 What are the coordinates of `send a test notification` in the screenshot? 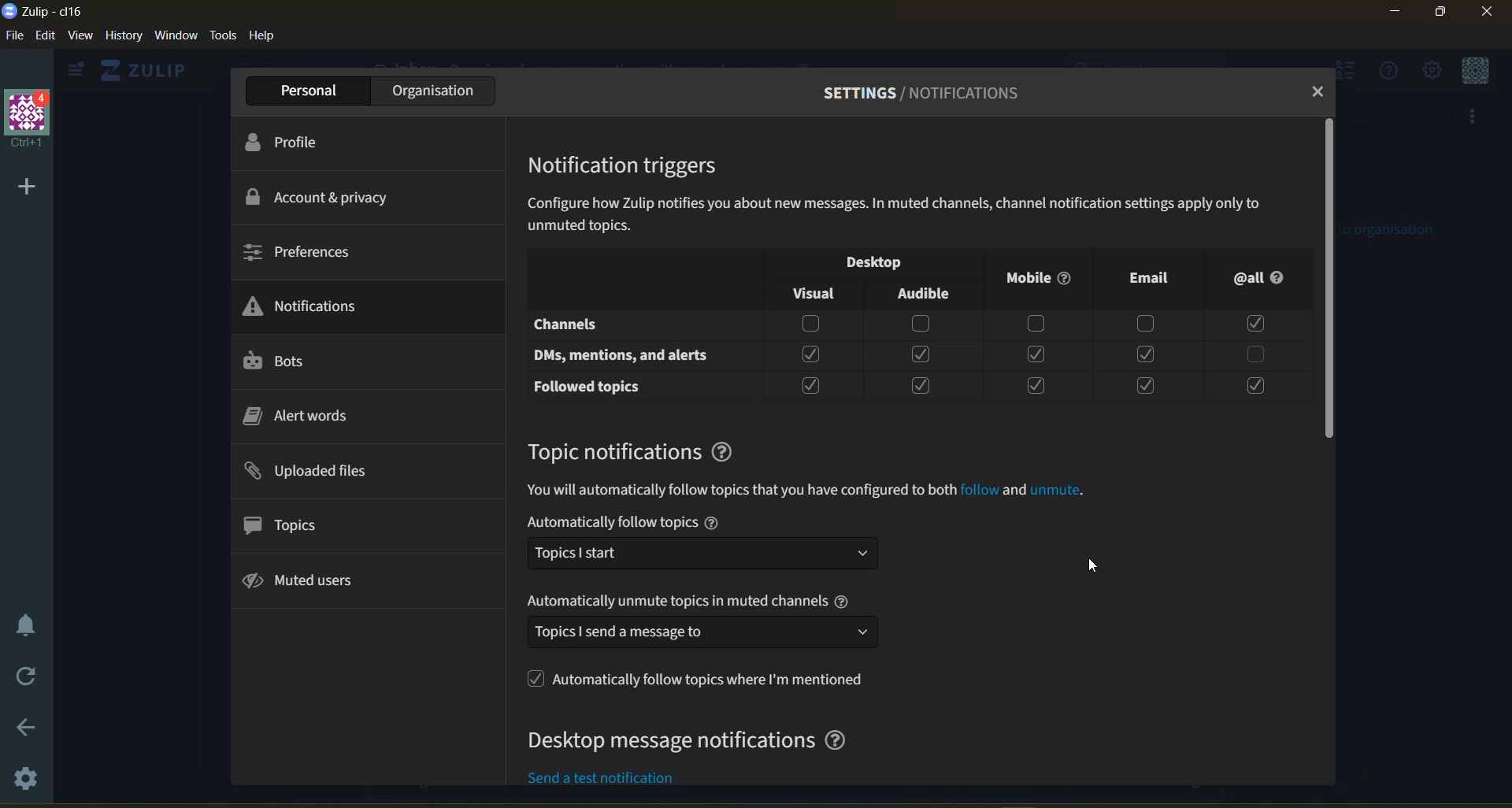 It's located at (618, 776).